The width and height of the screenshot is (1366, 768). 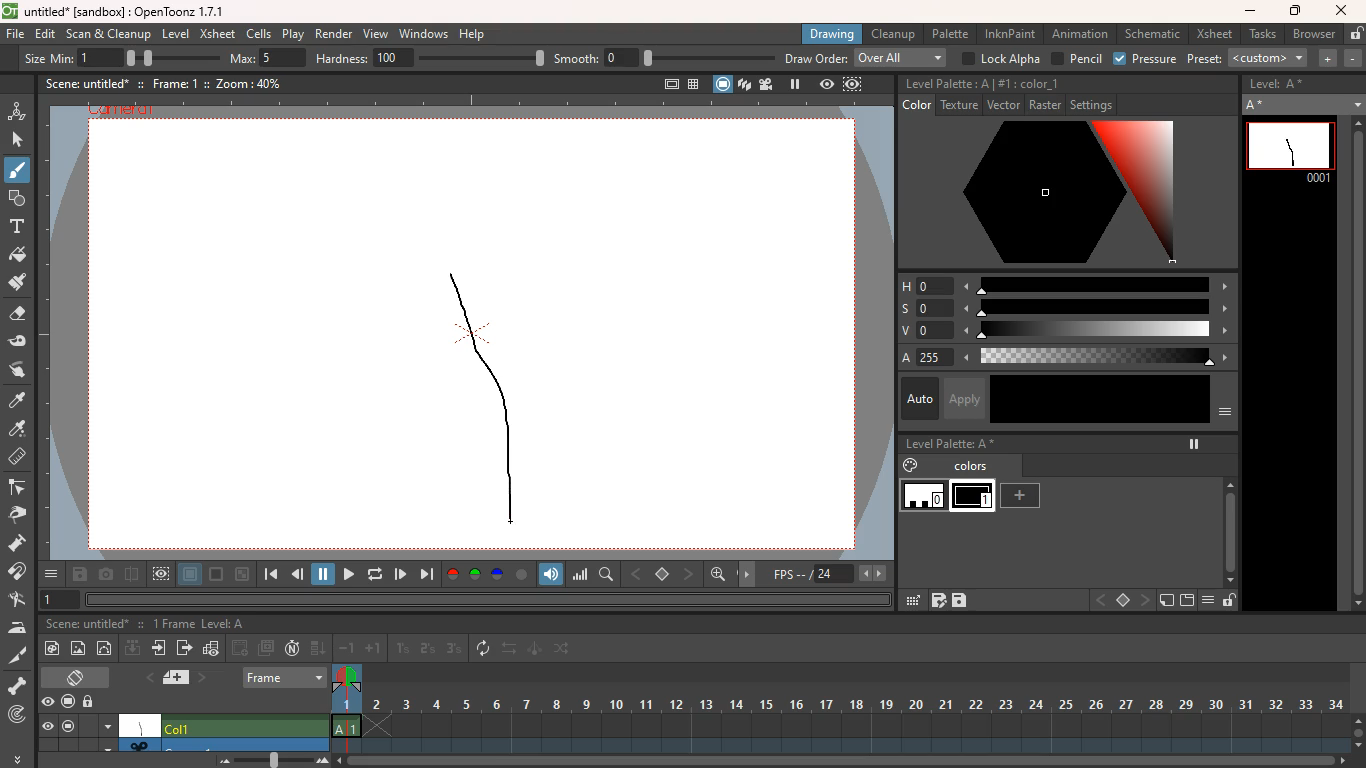 What do you see at coordinates (432, 58) in the screenshot?
I see `hardness` at bounding box center [432, 58].